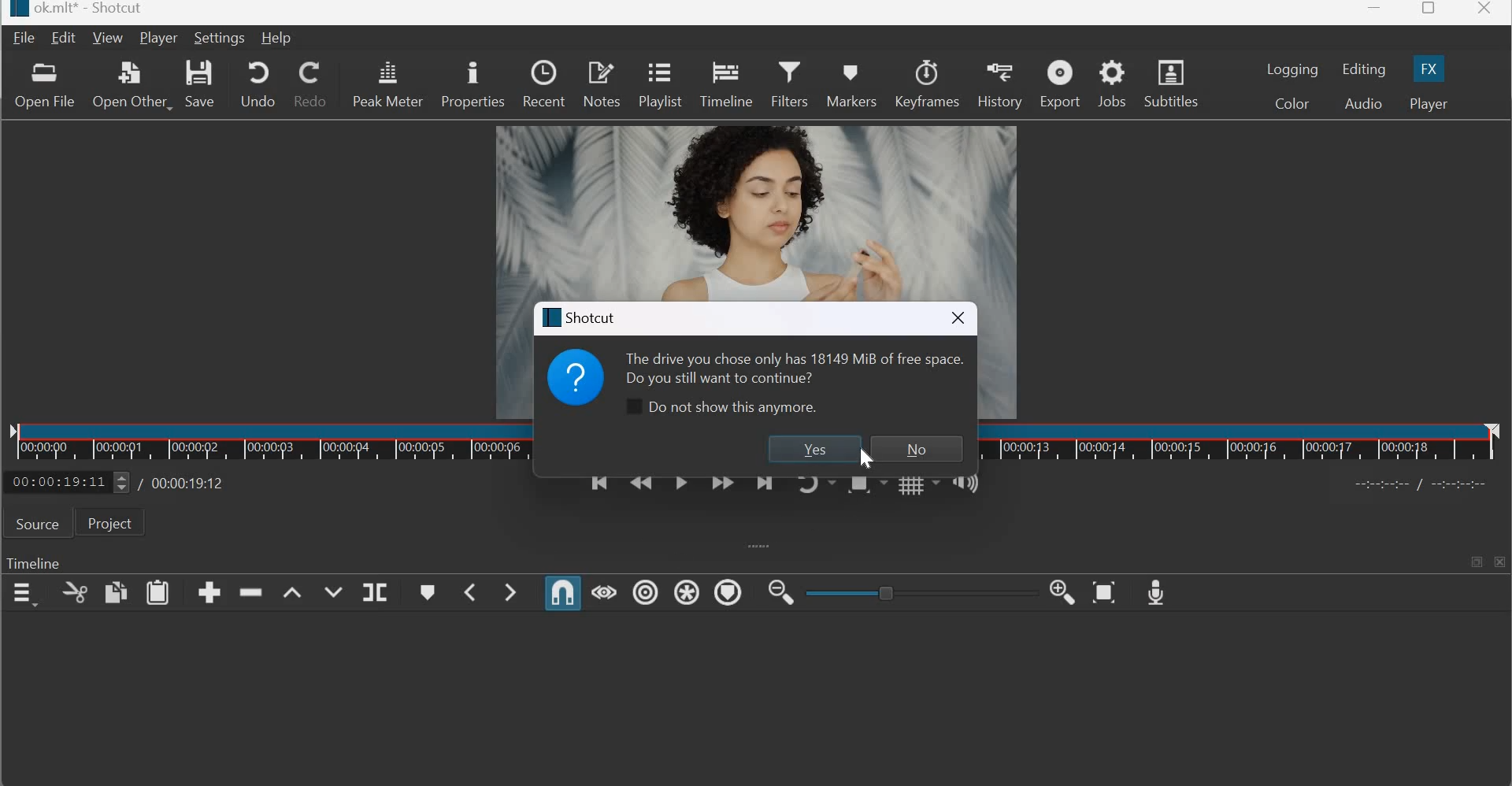 The width and height of the screenshot is (1512, 786). I want to click on Next Marker, so click(510, 591).